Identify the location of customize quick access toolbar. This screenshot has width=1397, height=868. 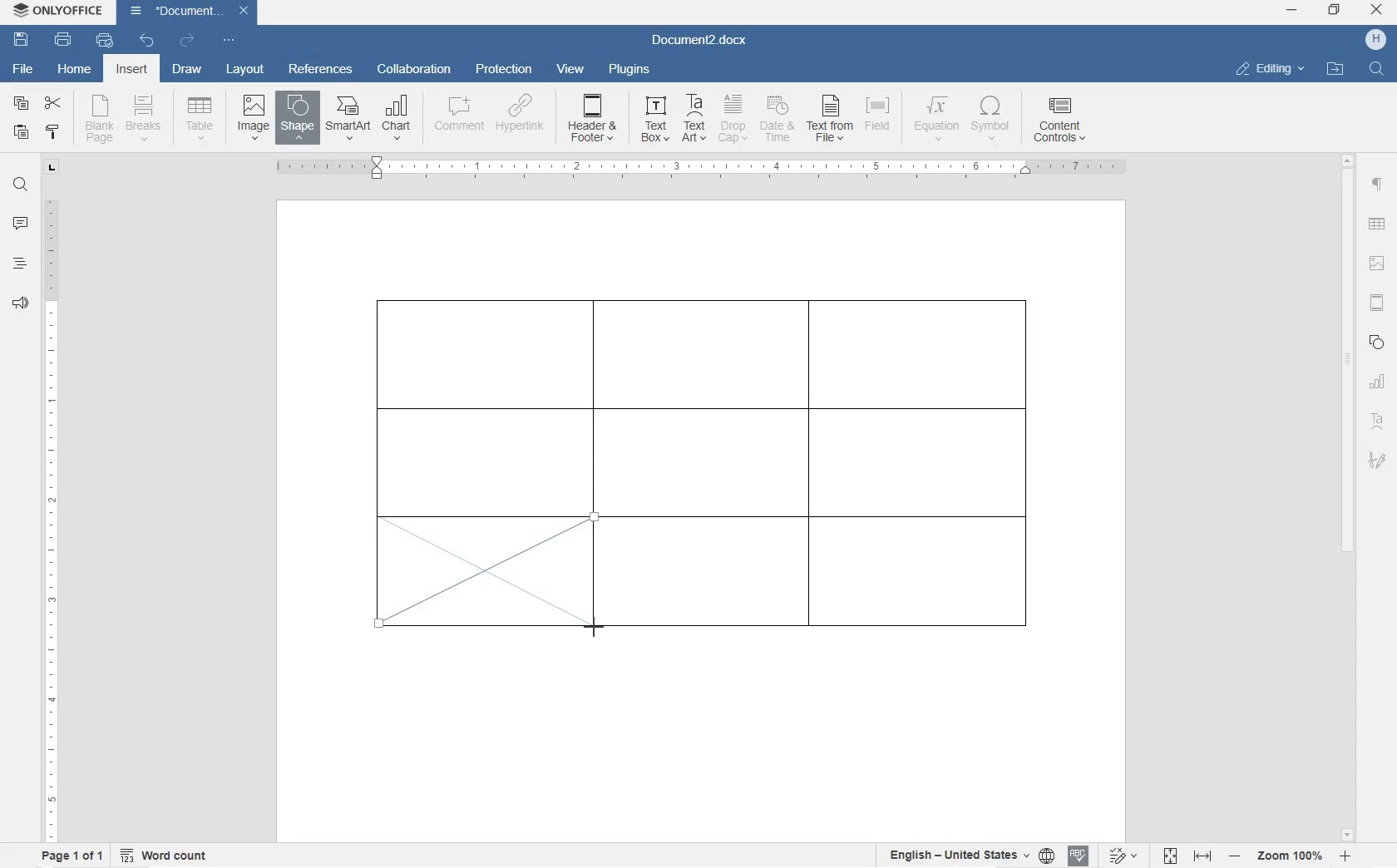
(228, 40).